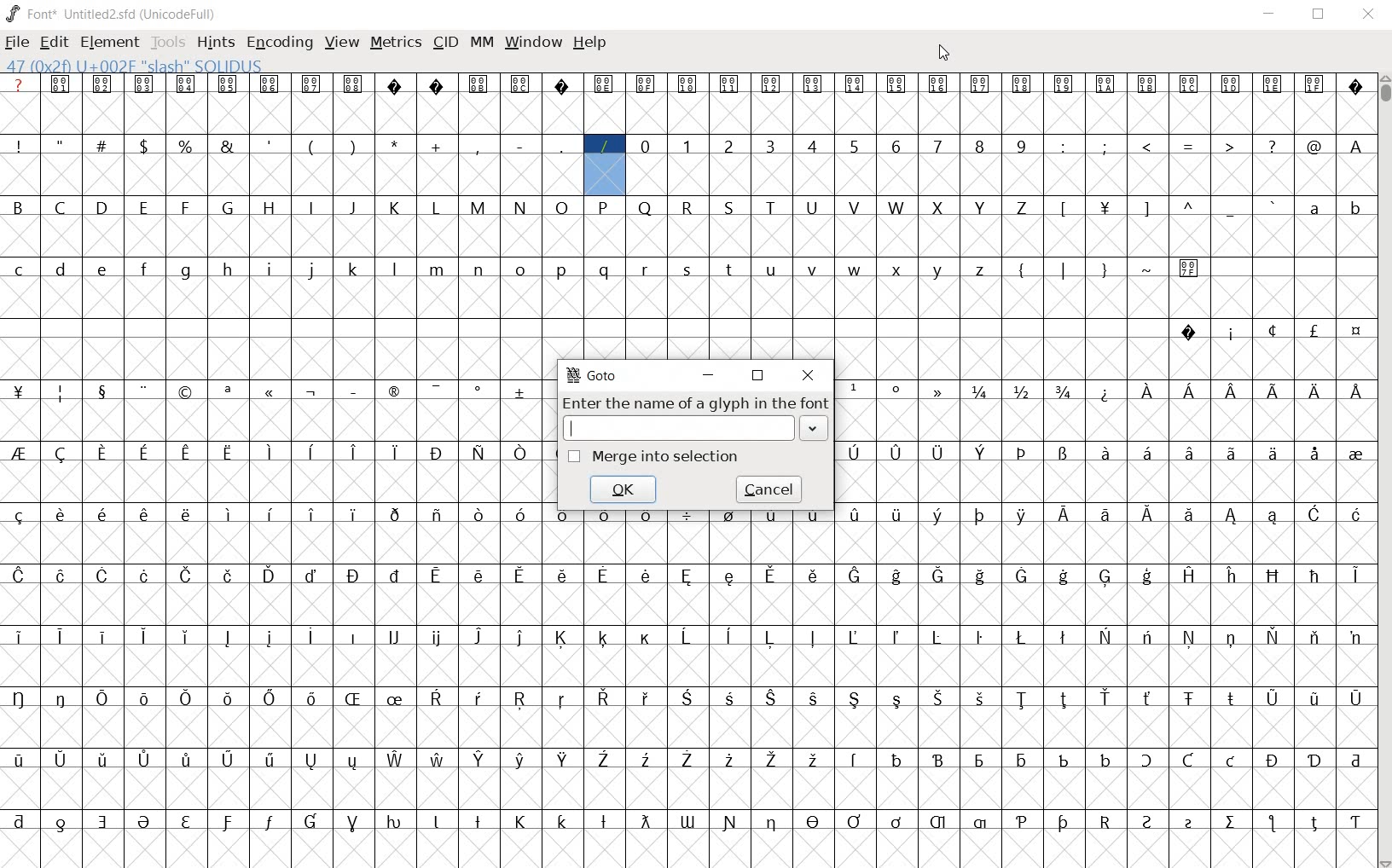 The width and height of the screenshot is (1392, 868). What do you see at coordinates (687, 822) in the screenshot?
I see `glyph` at bounding box center [687, 822].